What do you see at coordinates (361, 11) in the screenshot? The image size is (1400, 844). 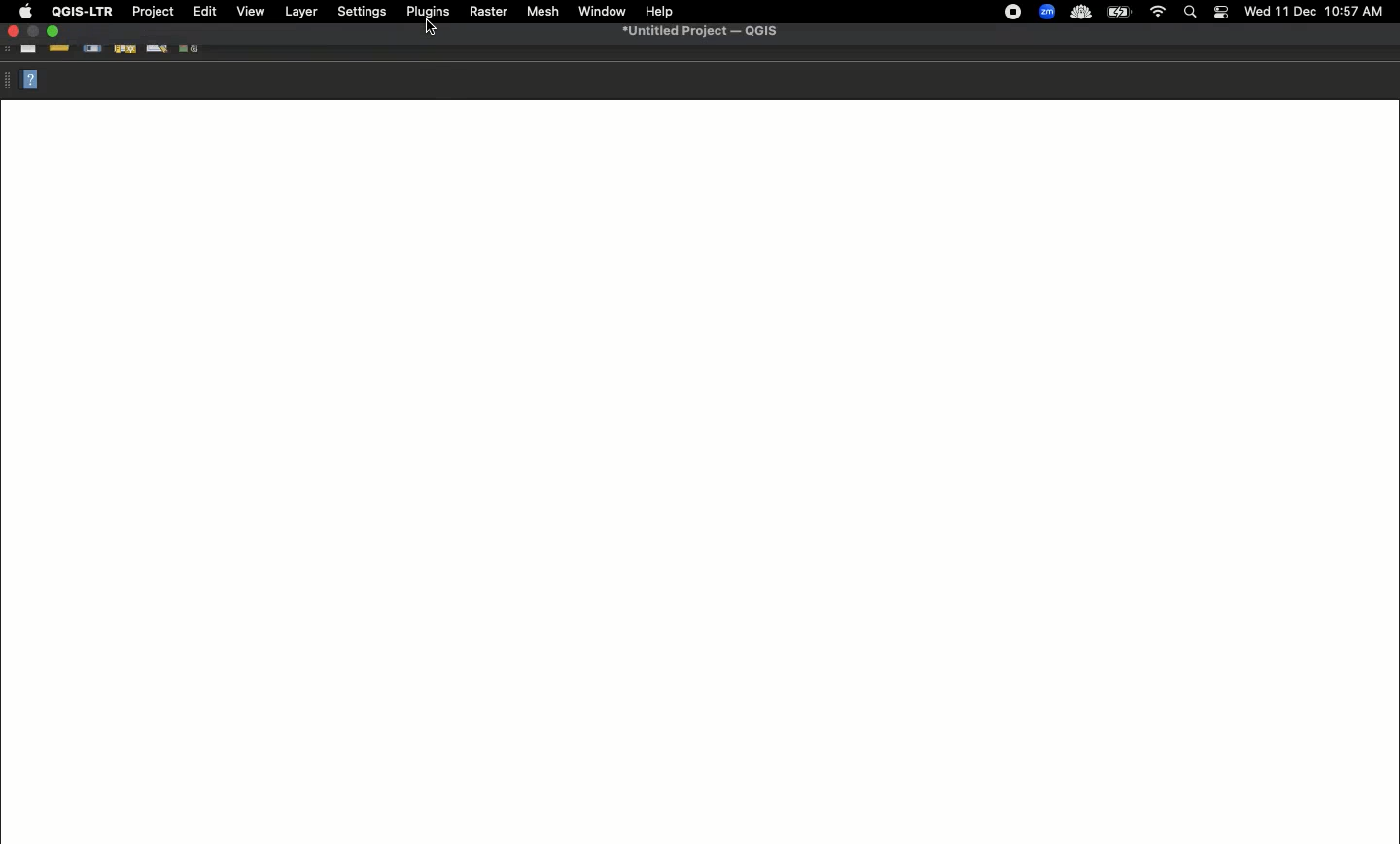 I see `Settings` at bounding box center [361, 11].